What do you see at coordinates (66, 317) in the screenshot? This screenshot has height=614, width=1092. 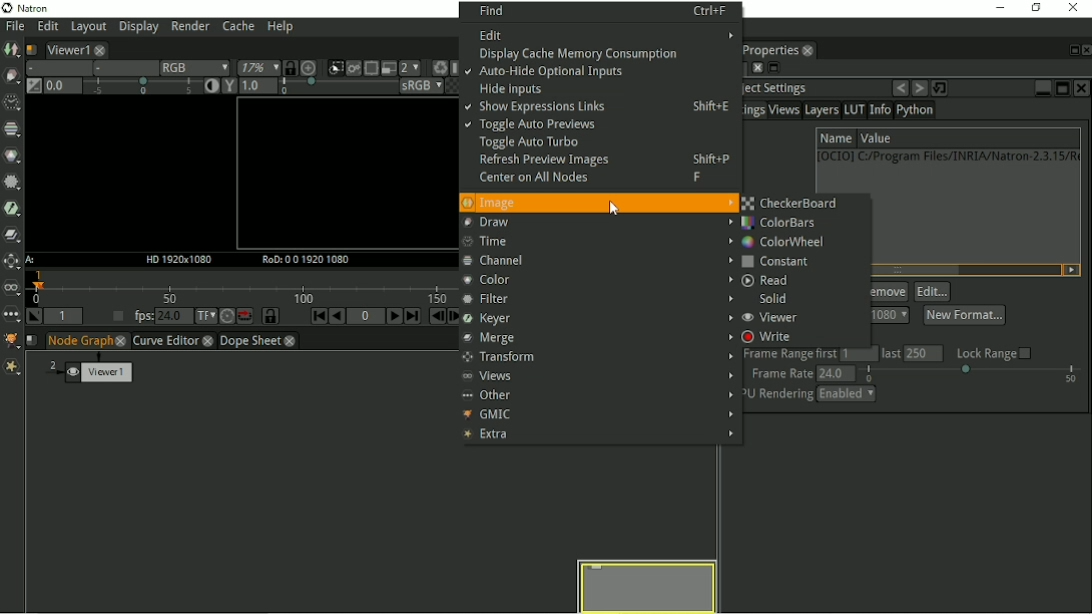 I see `Playback in point` at bounding box center [66, 317].